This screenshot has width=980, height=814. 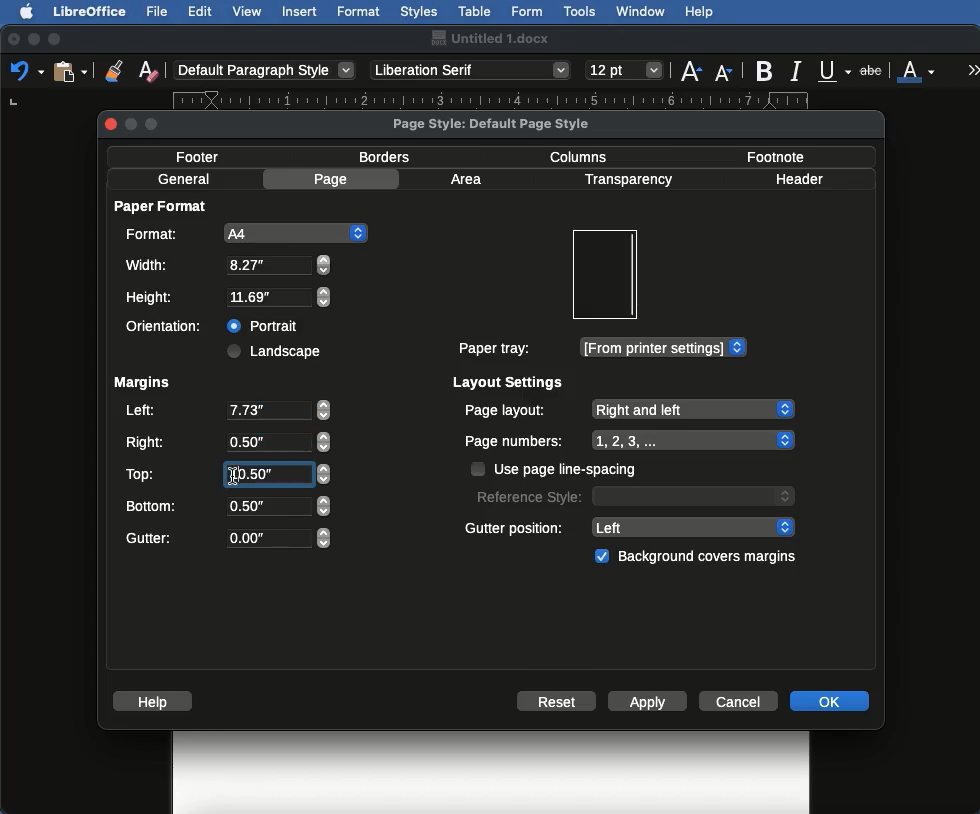 What do you see at coordinates (628, 409) in the screenshot?
I see `Page layout` at bounding box center [628, 409].